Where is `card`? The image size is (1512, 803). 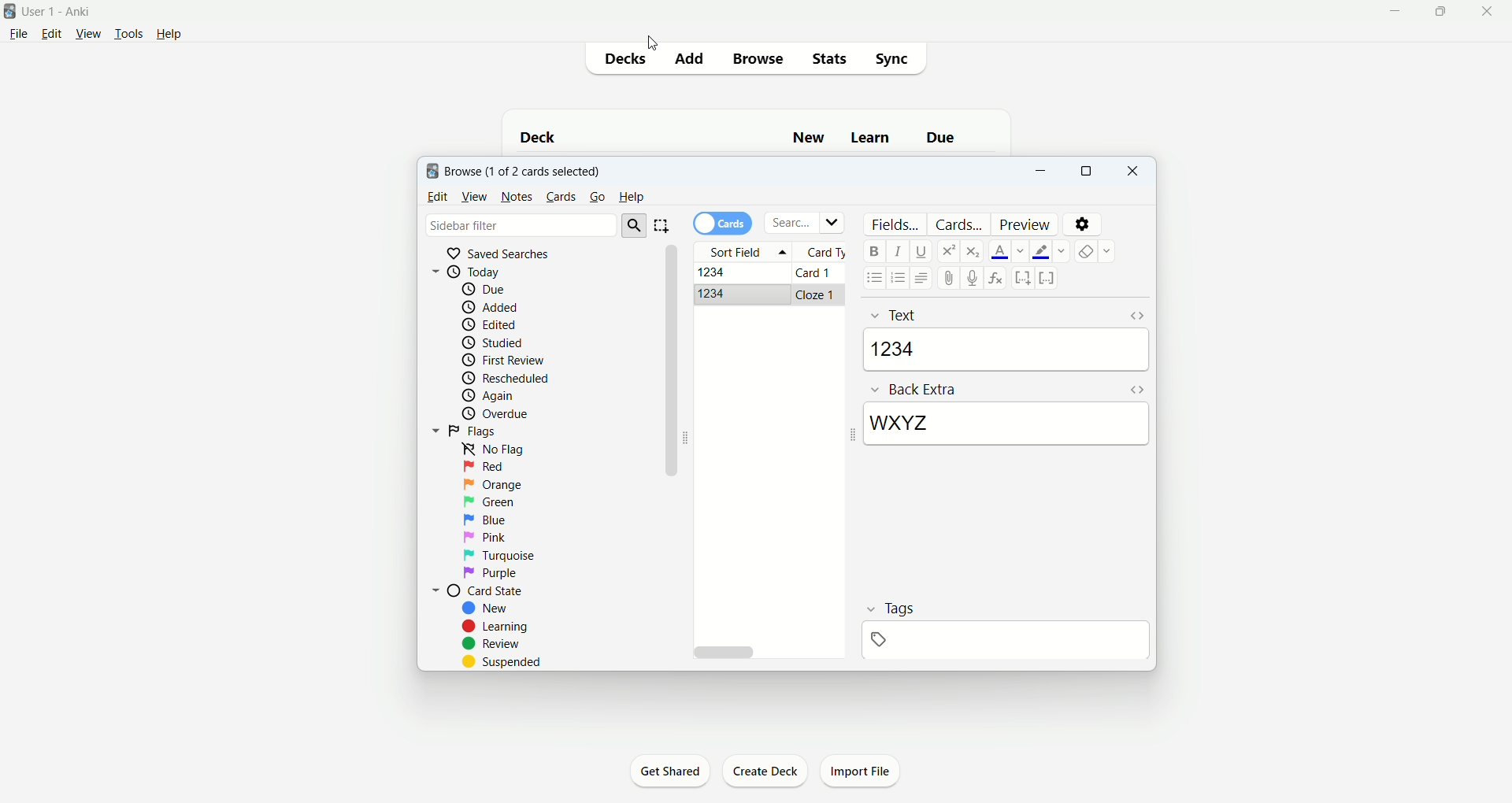
card is located at coordinates (961, 224).